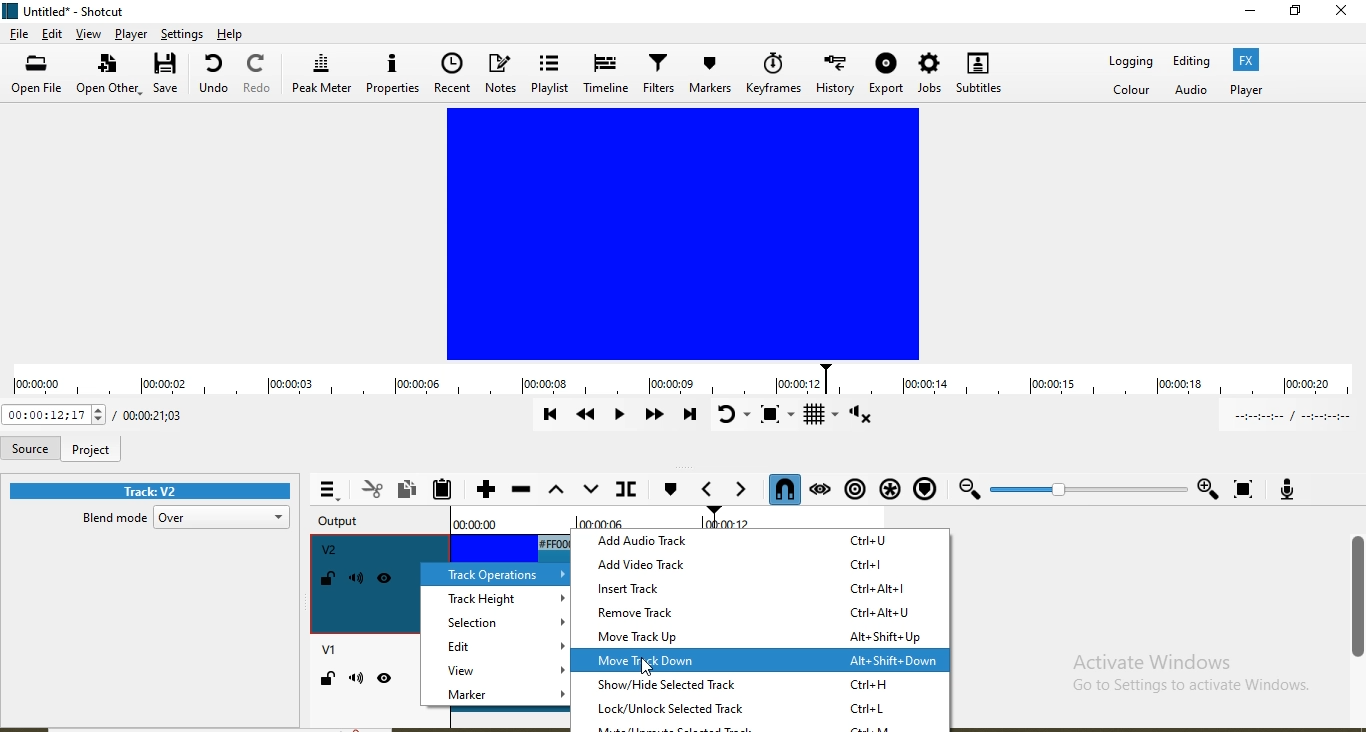 Image resolution: width=1366 pixels, height=732 pixels. What do you see at coordinates (153, 414) in the screenshot?
I see `Total duration` at bounding box center [153, 414].